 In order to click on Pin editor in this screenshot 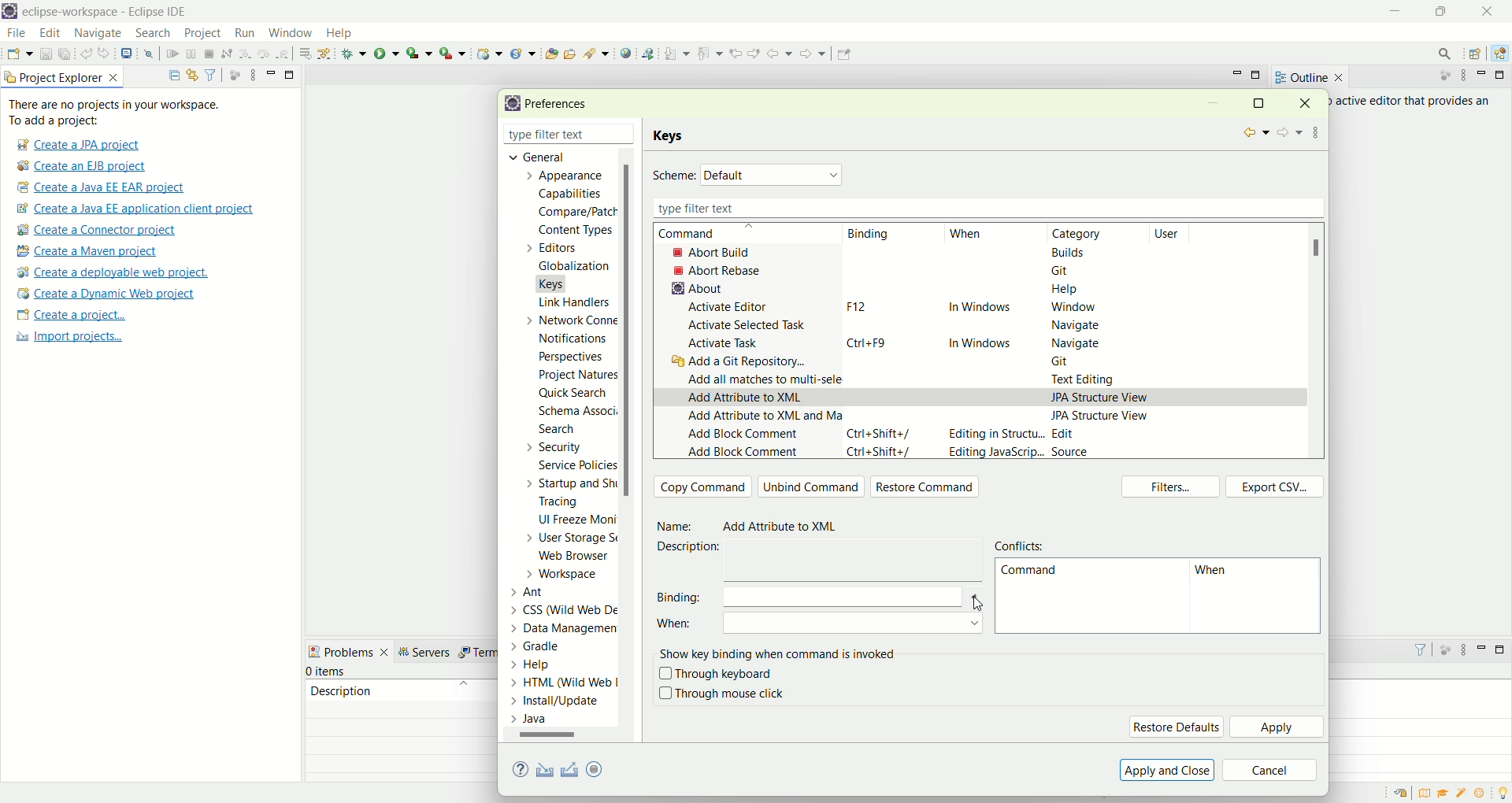, I will do `click(842, 56)`.